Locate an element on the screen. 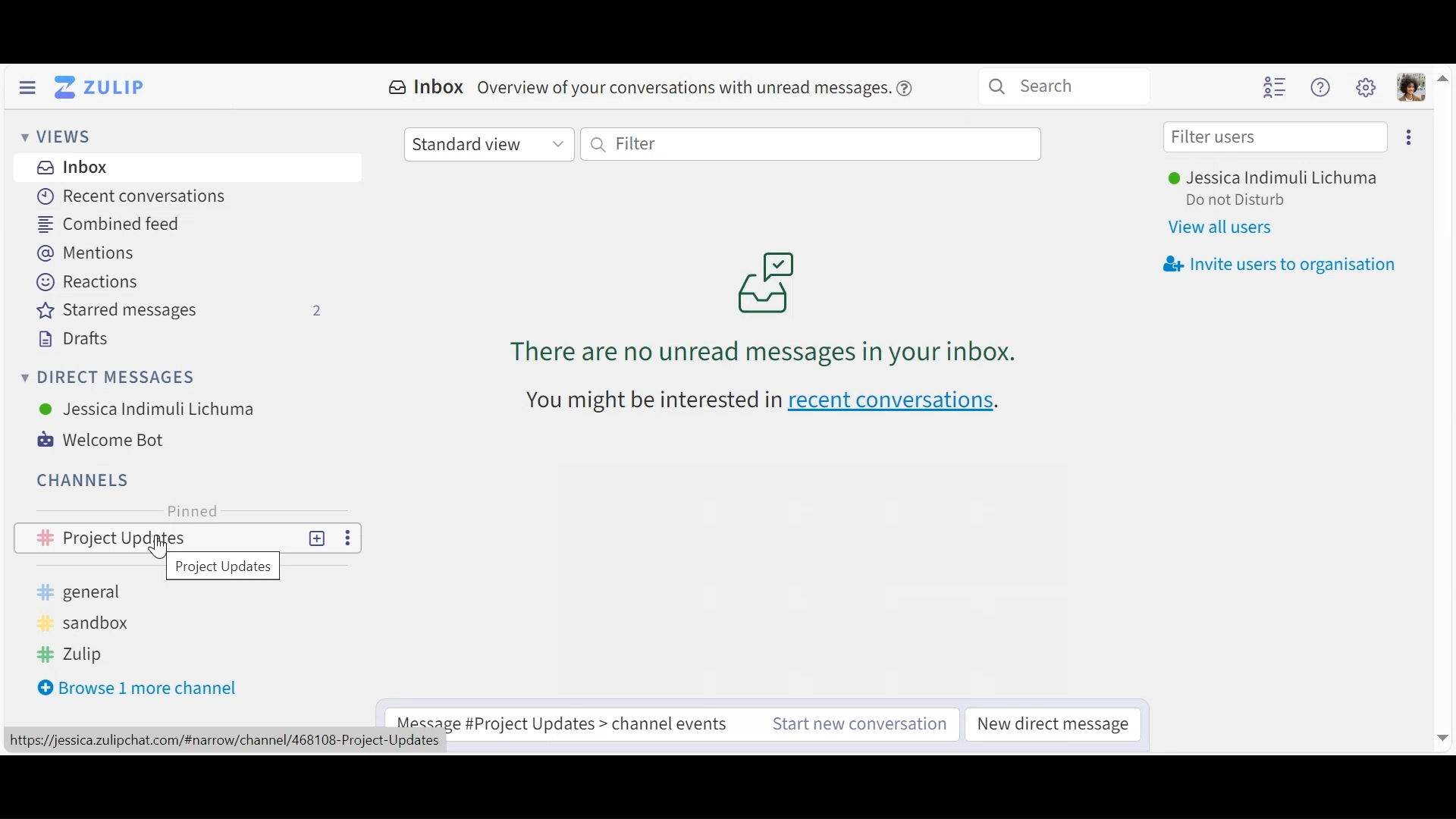 The width and height of the screenshot is (1456, 819). Welcome Bot is located at coordinates (112, 440).